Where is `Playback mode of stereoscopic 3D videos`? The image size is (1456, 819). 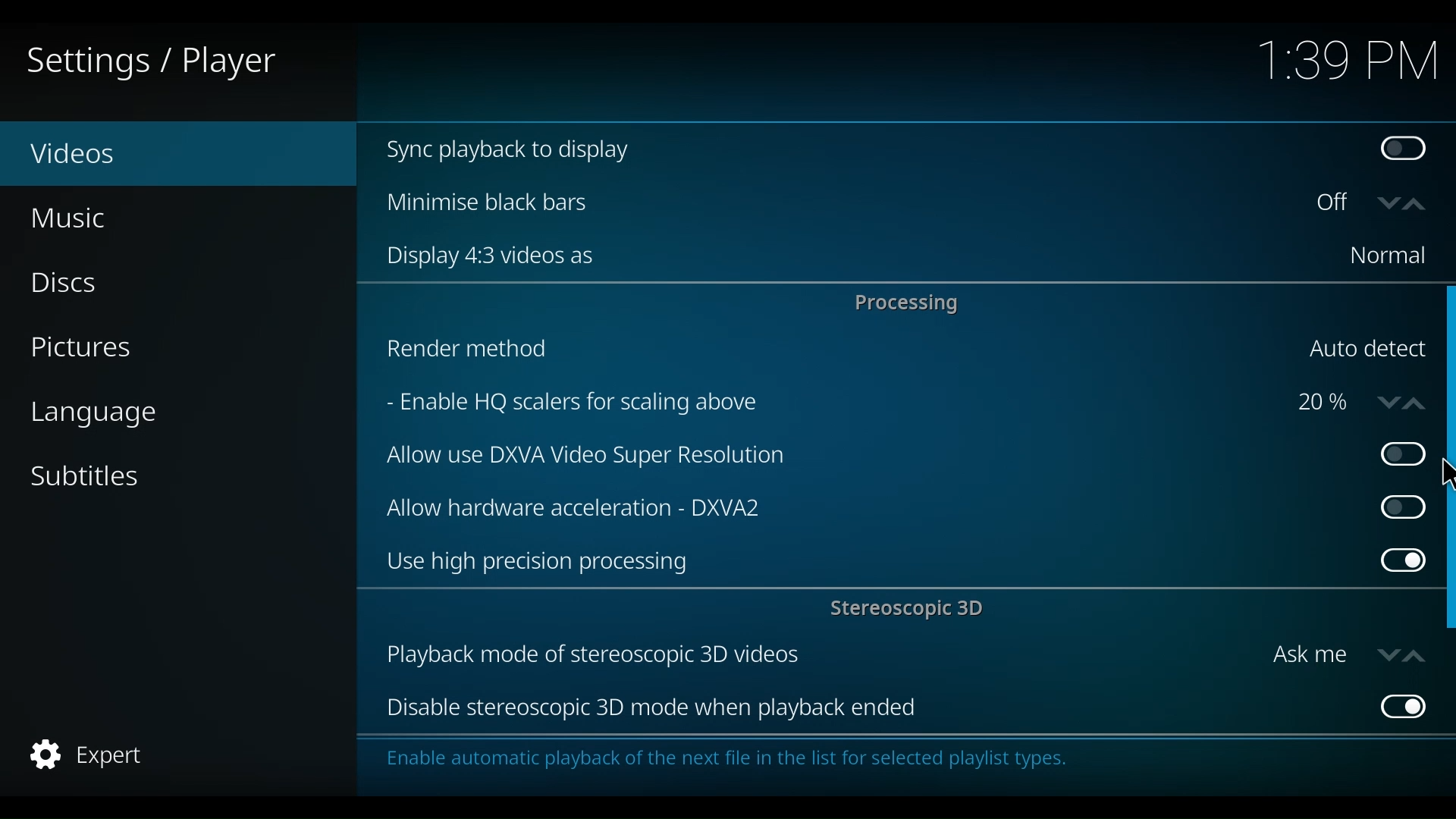 Playback mode of stereoscopic 3D videos is located at coordinates (817, 656).